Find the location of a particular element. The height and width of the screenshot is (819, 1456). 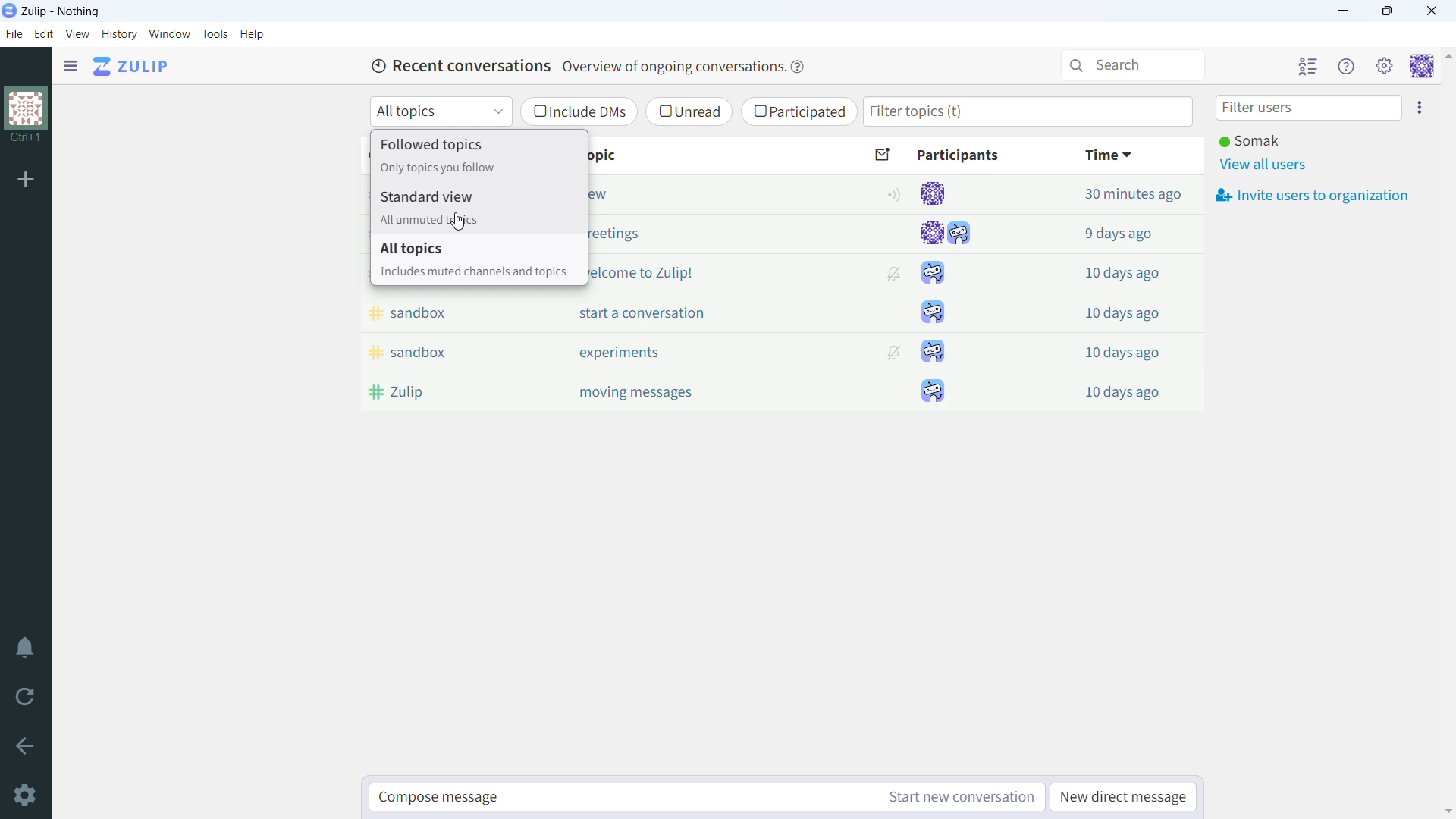

active user is located at coordinates (1249, 140).